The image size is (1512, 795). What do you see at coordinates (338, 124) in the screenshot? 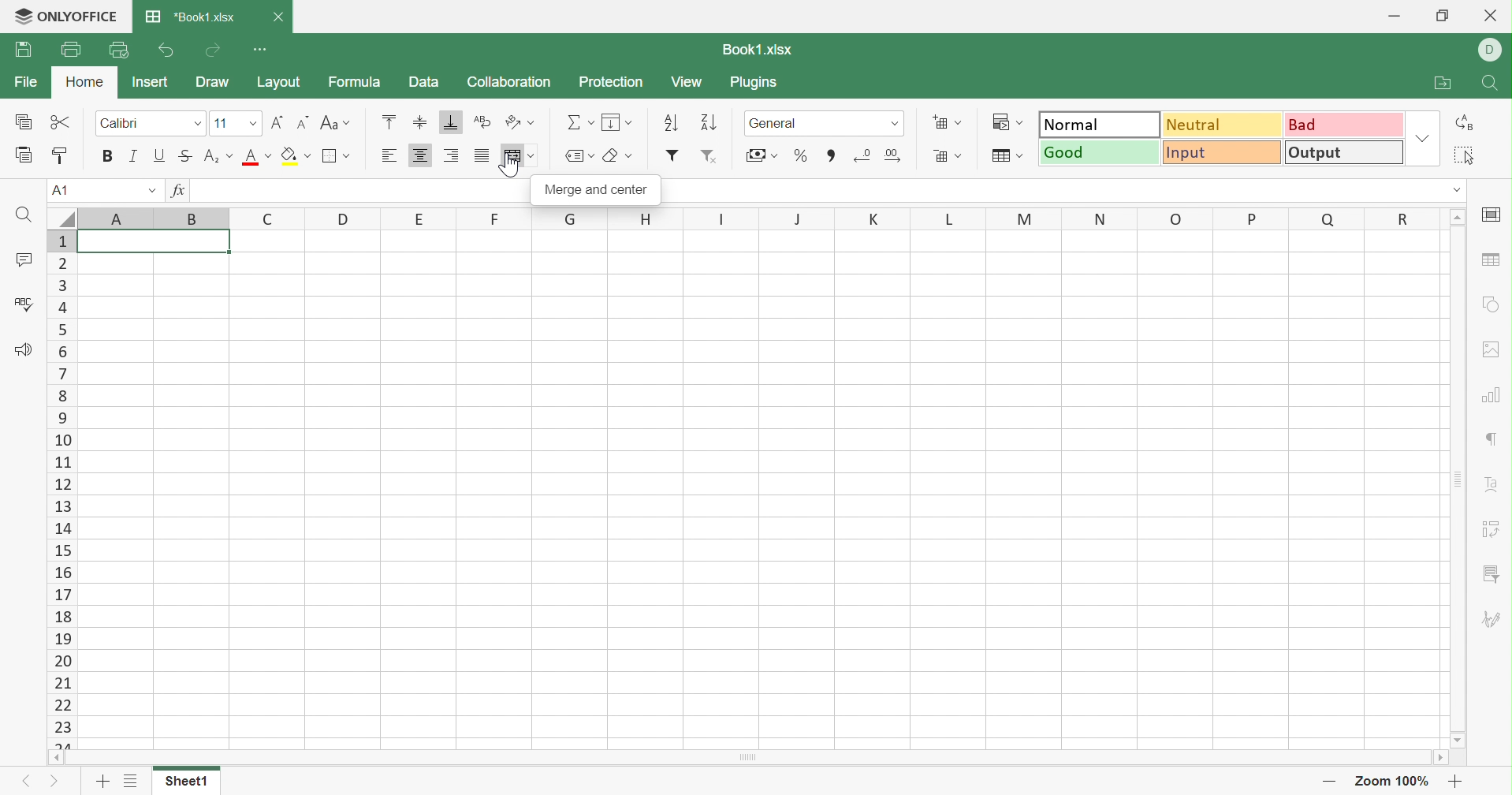
I see `Change case` at bounding box center [338, 124].